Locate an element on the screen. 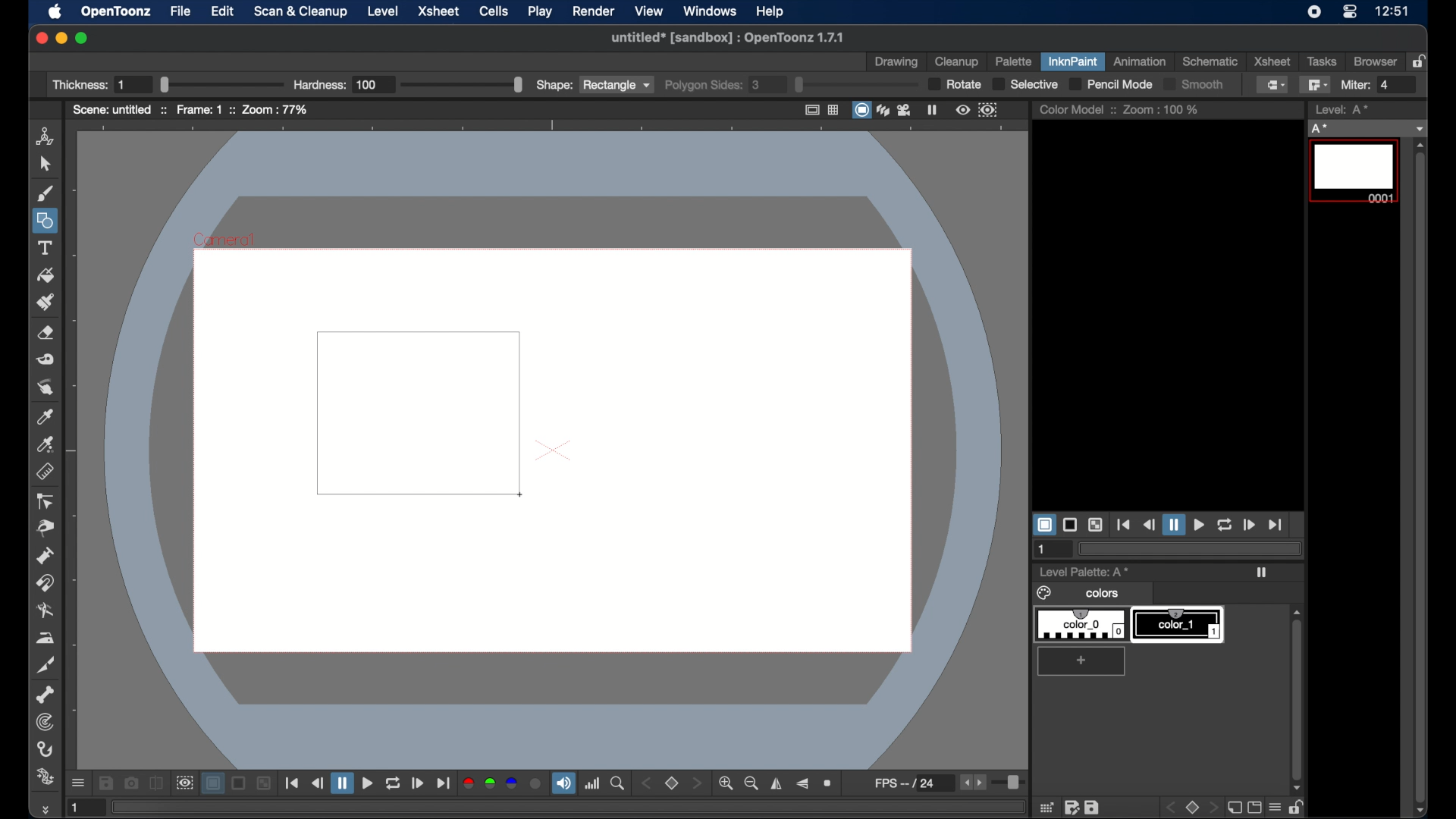 The image size is (1456, 819). sub camera view is located at coordinates (184, 783).